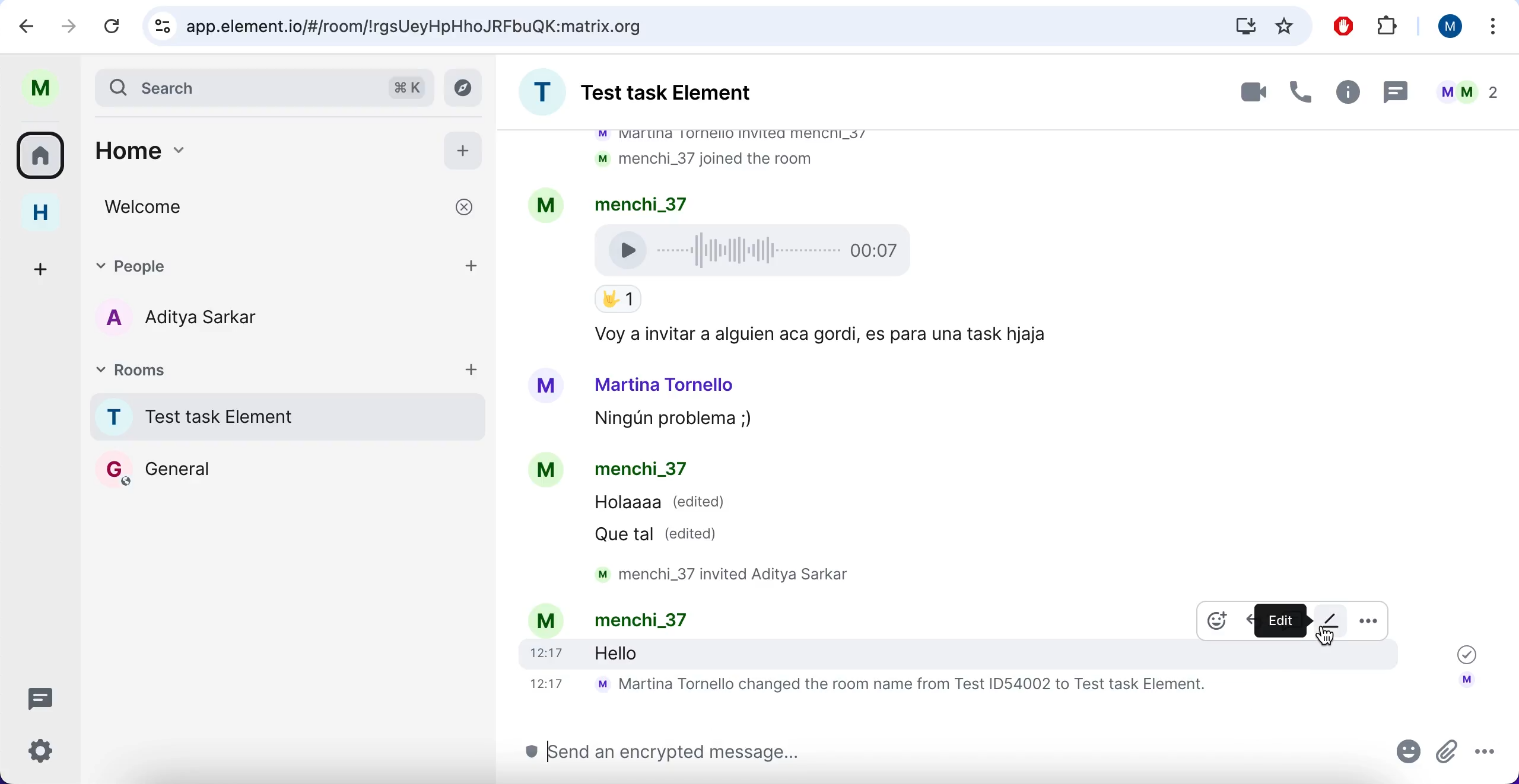 Image resolution: width=1519 pixels, height=784 pixels. Describe the element at coordinates (646, 652) in the screenshot. I see `message` at that location.